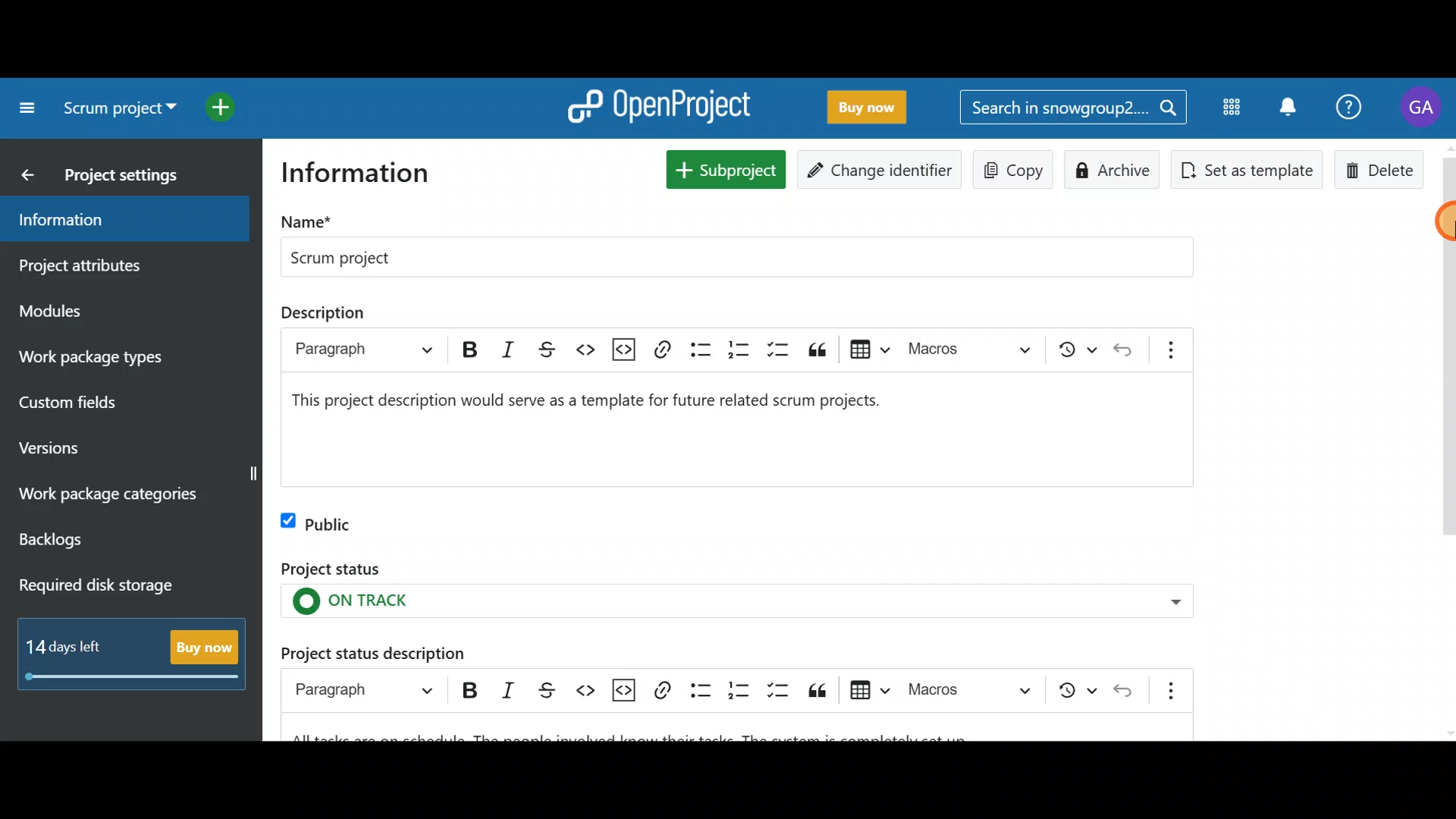 Image resolution: width=1456 pixels, height=819 pixels. I want to click on Cursor, so click(1444, 223).